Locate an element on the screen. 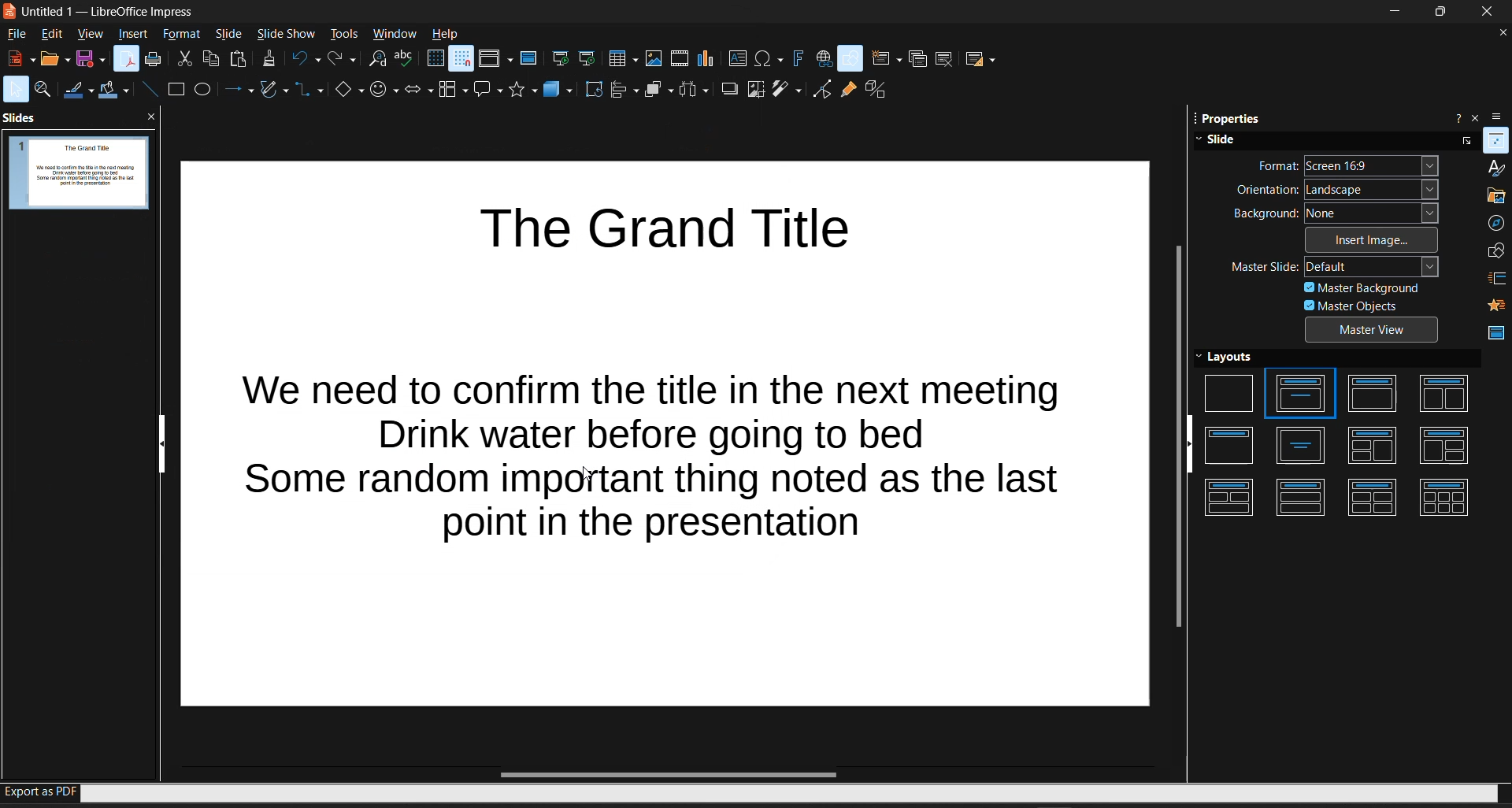 This screenshot has height=808, width=1512. insert text box is located at coordinates (736, 57).